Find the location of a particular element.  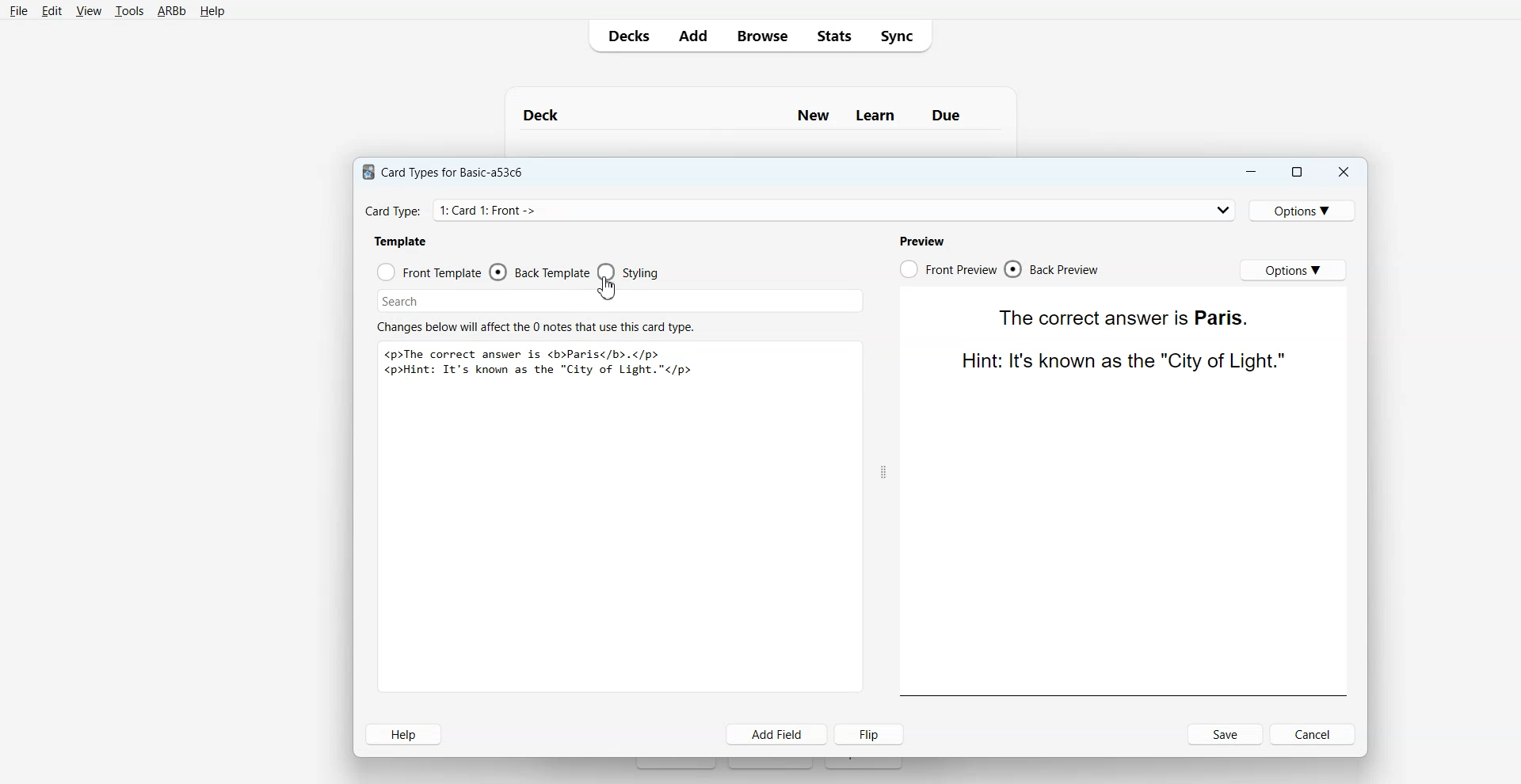

Tools is located at coordinates (129, 12).